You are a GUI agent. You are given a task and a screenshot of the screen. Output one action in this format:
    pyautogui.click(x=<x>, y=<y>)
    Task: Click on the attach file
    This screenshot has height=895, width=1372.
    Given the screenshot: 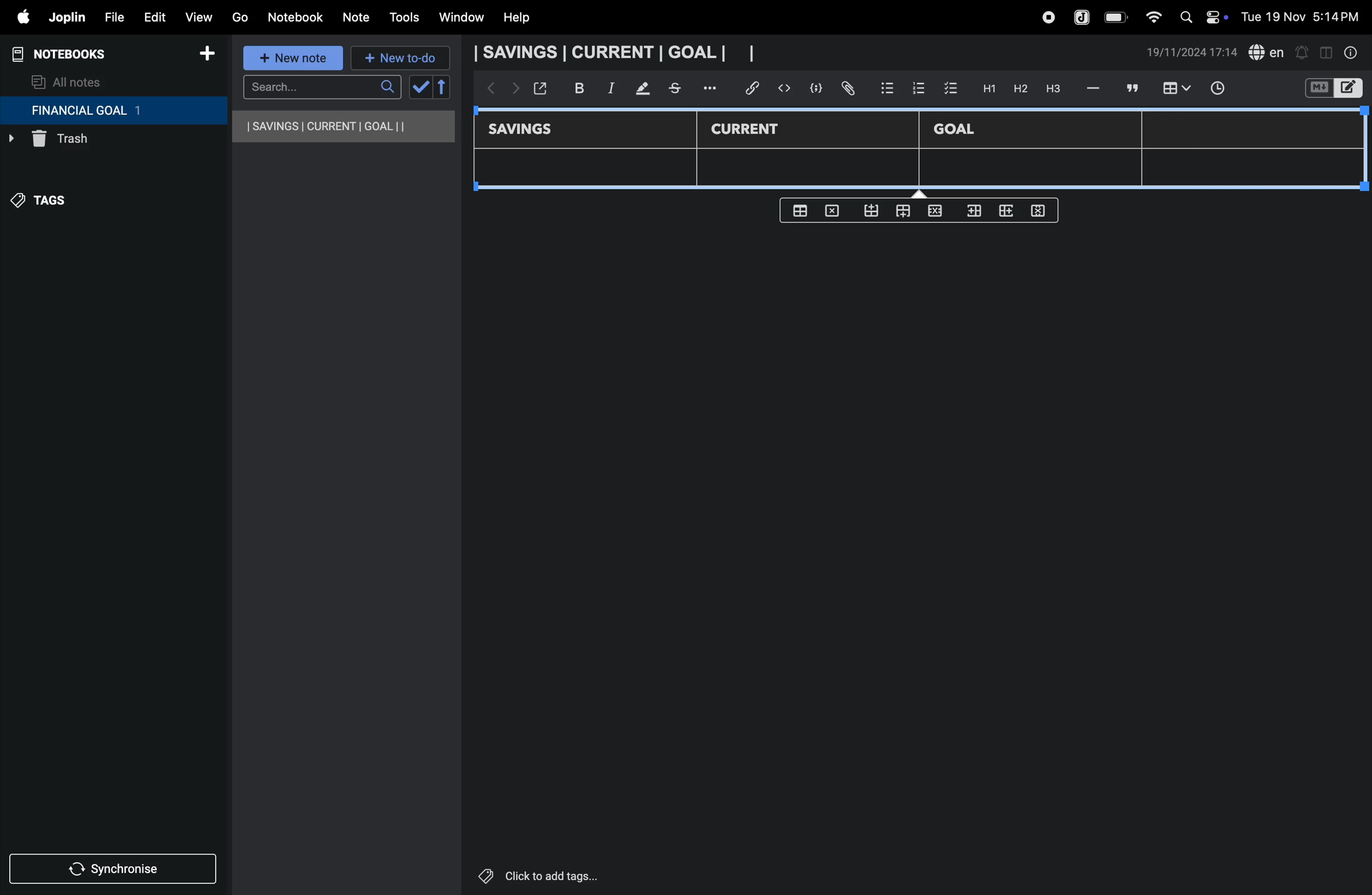 What is the action you would take?
    pyautogui.click(x=847, y=89)
    